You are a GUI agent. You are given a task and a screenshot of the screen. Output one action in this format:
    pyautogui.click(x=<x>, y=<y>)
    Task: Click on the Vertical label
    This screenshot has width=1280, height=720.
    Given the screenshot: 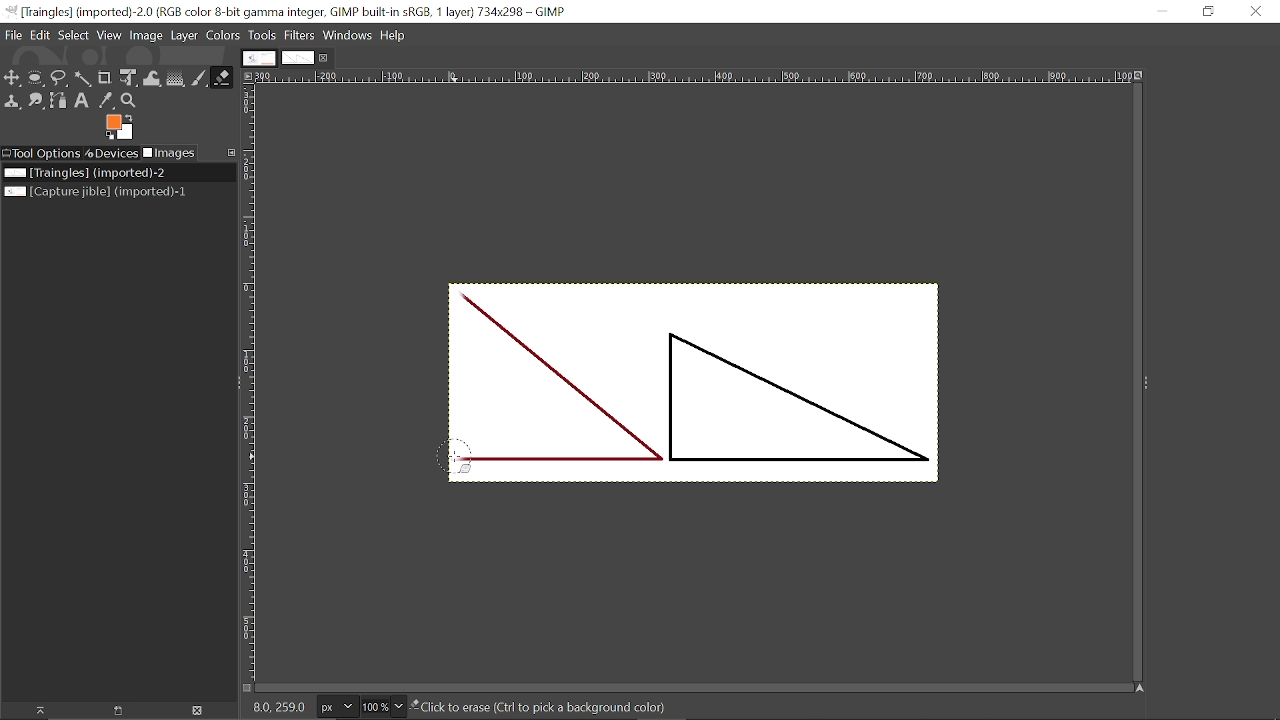 What is the action you would take?
    pyautogui.click(x=251, y=383)
    